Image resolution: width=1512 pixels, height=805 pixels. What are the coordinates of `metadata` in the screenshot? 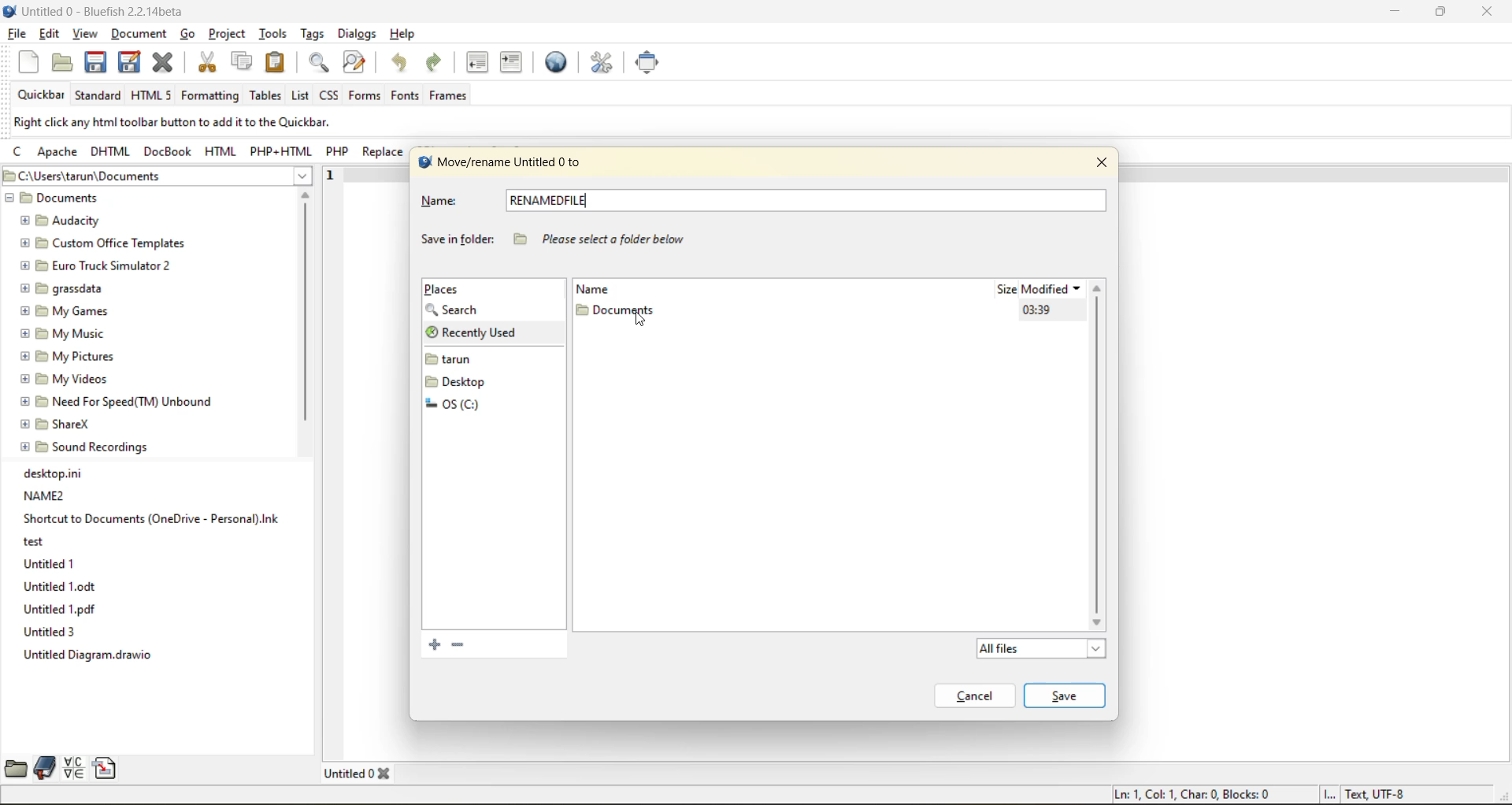 It's located at (1262, 795).